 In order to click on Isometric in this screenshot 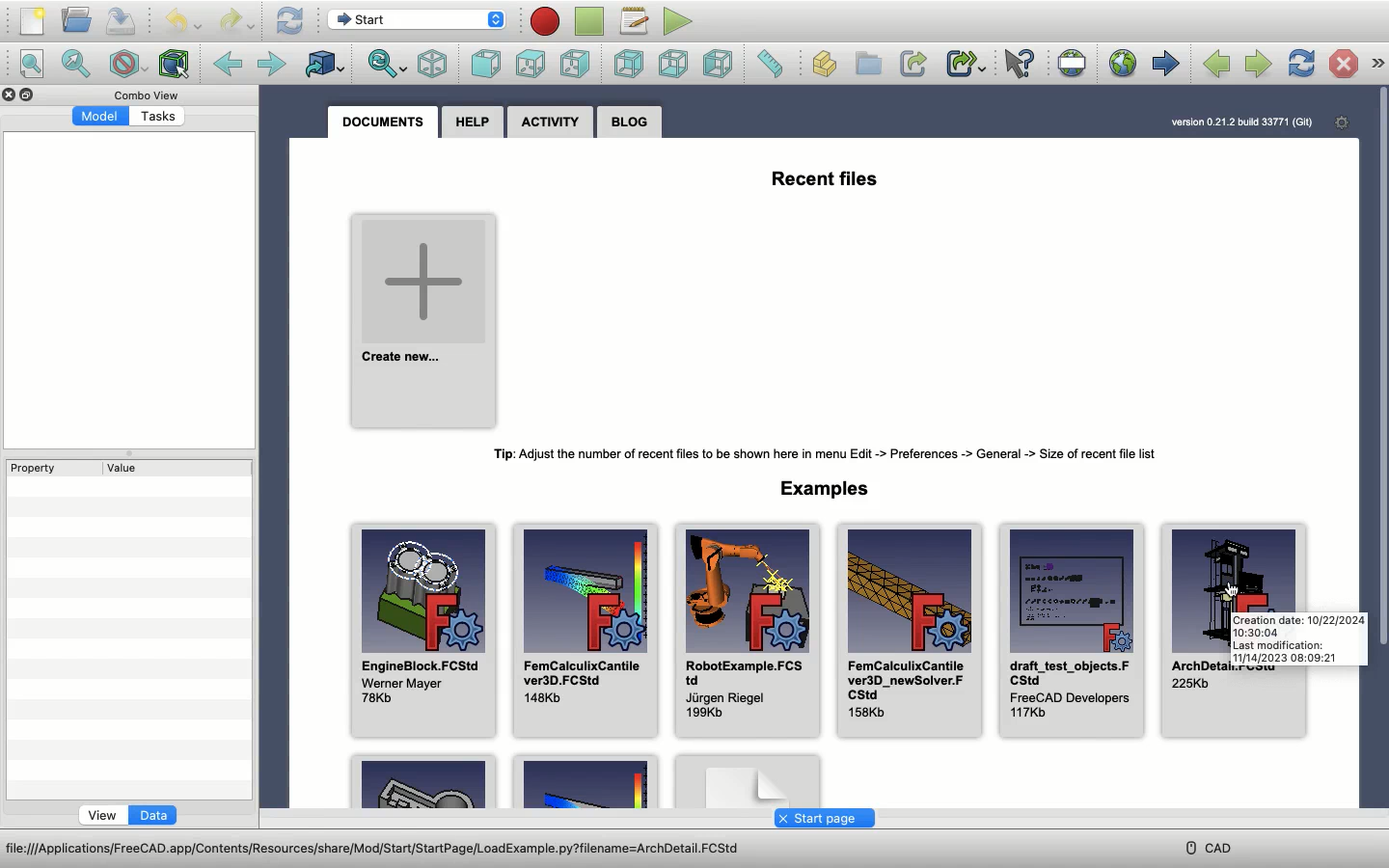, I will do `click(431, 64)`.